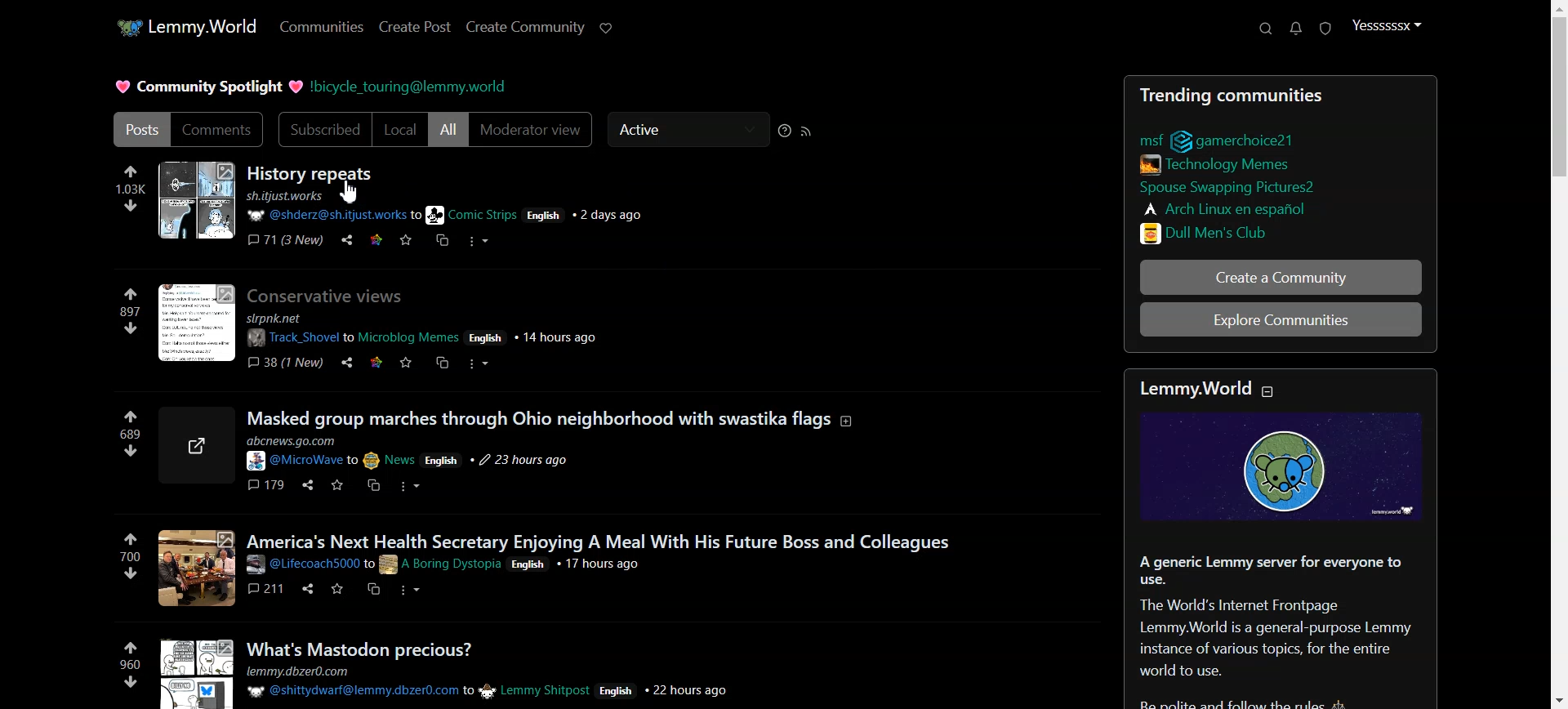 The width and height of the screenshot is (1568, 709). What do you see at coordinates (310, 486) in the screenshot?
I see `Share` at bounding box center [310, 486].